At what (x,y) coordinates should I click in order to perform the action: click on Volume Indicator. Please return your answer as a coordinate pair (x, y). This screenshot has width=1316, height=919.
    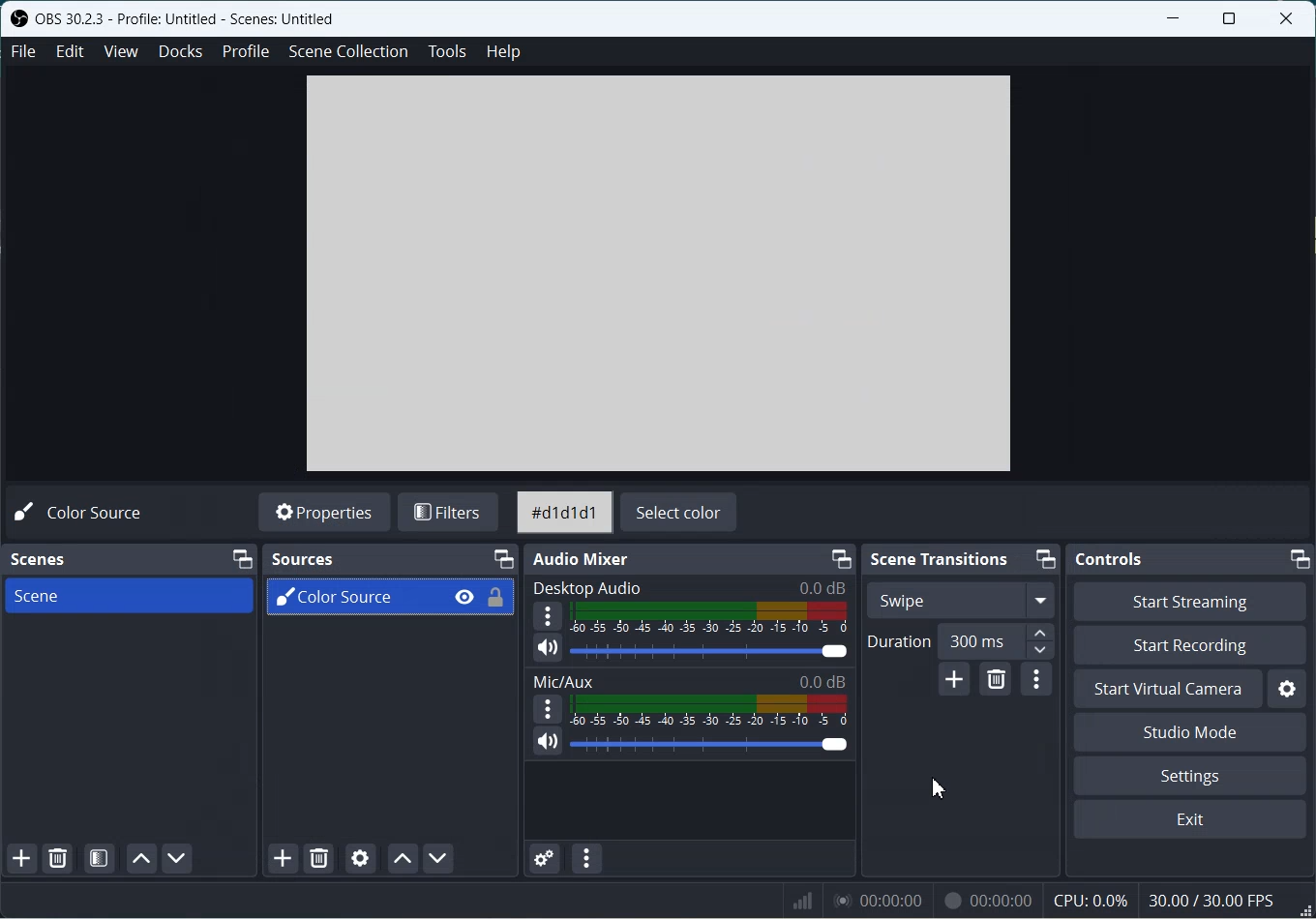
    Looking at the image, I should click on (710, 712).